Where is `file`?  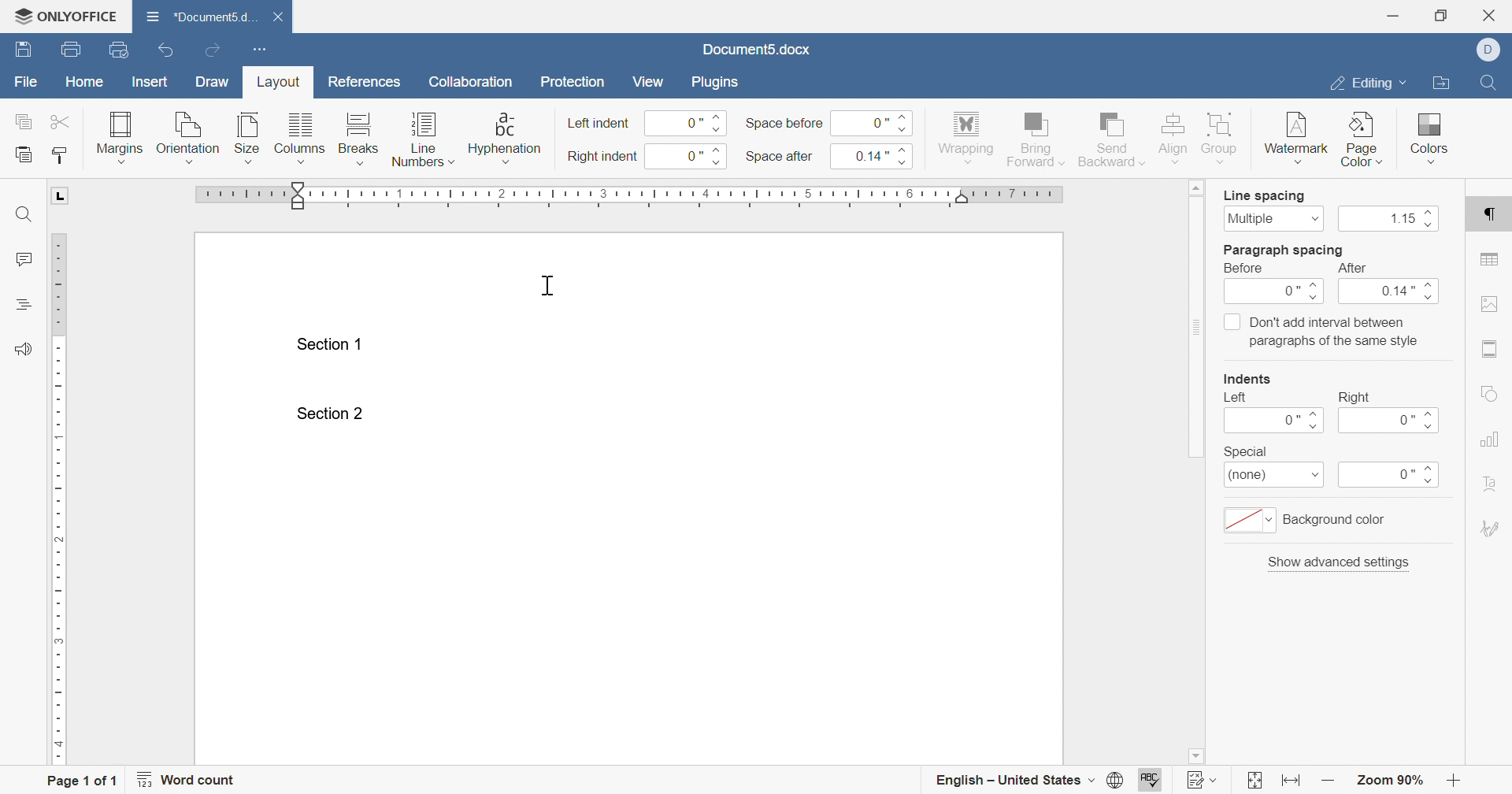 file is located at coordinates (27, 80).